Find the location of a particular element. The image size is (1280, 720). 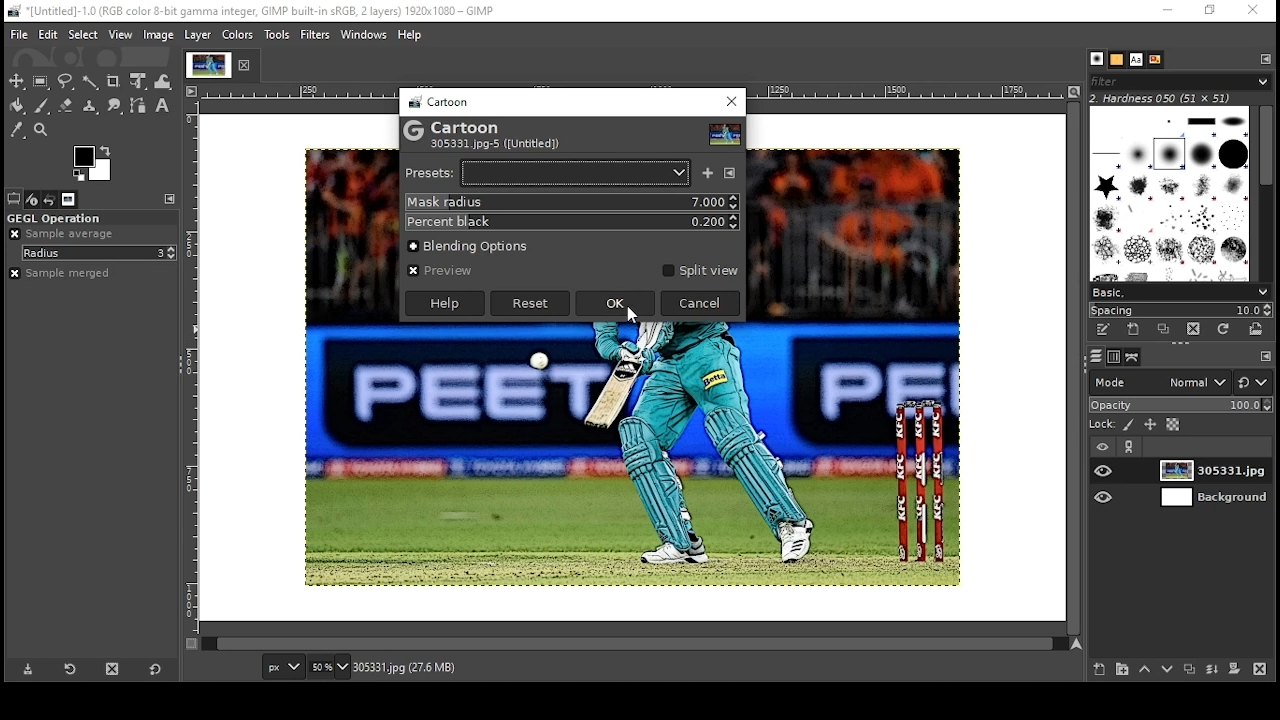

layer on/off is located at coordinates (1106, 498).